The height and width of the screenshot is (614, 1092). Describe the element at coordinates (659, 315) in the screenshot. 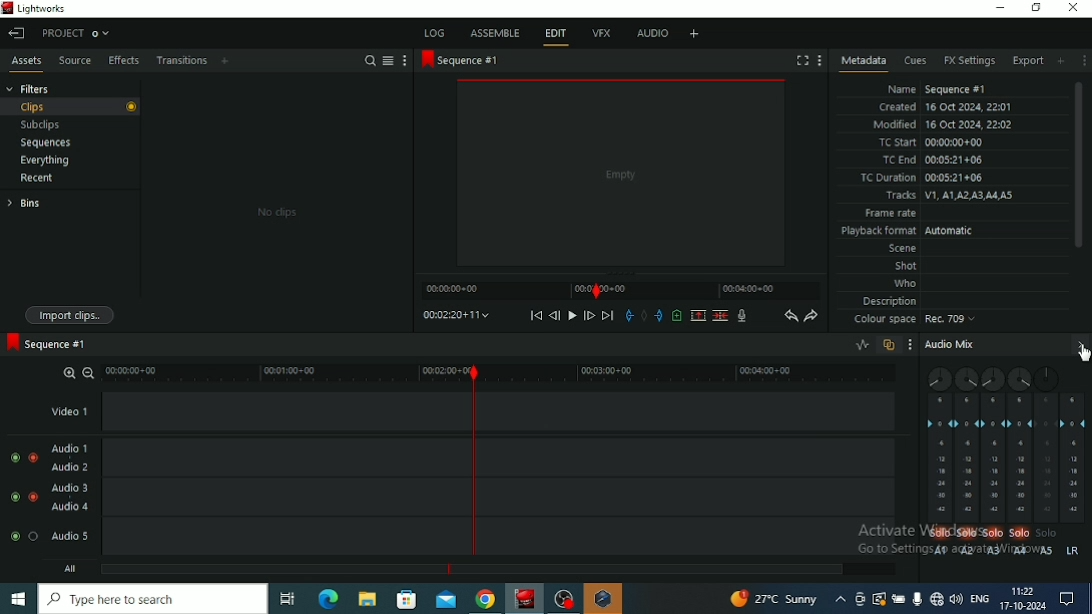

I see `Add an 'out' mark at the current position` at that location.